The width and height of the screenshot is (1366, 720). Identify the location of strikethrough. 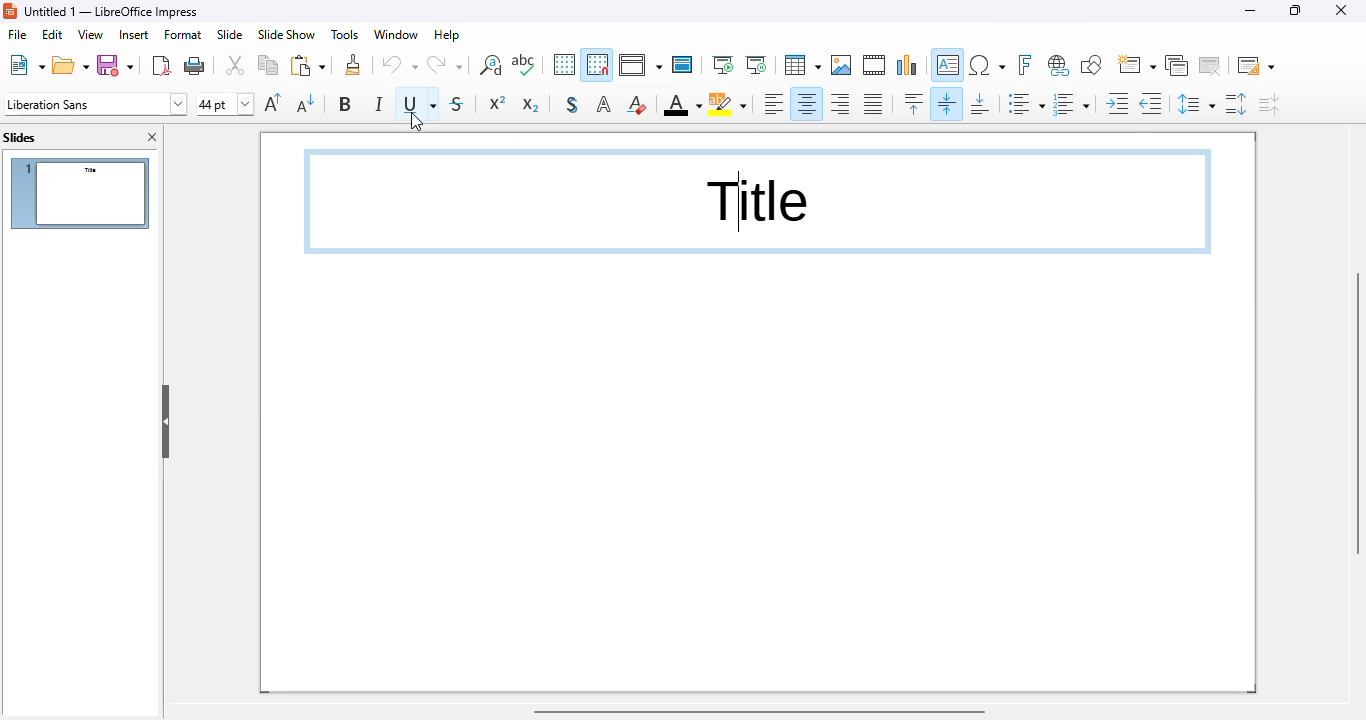
(458, 104).